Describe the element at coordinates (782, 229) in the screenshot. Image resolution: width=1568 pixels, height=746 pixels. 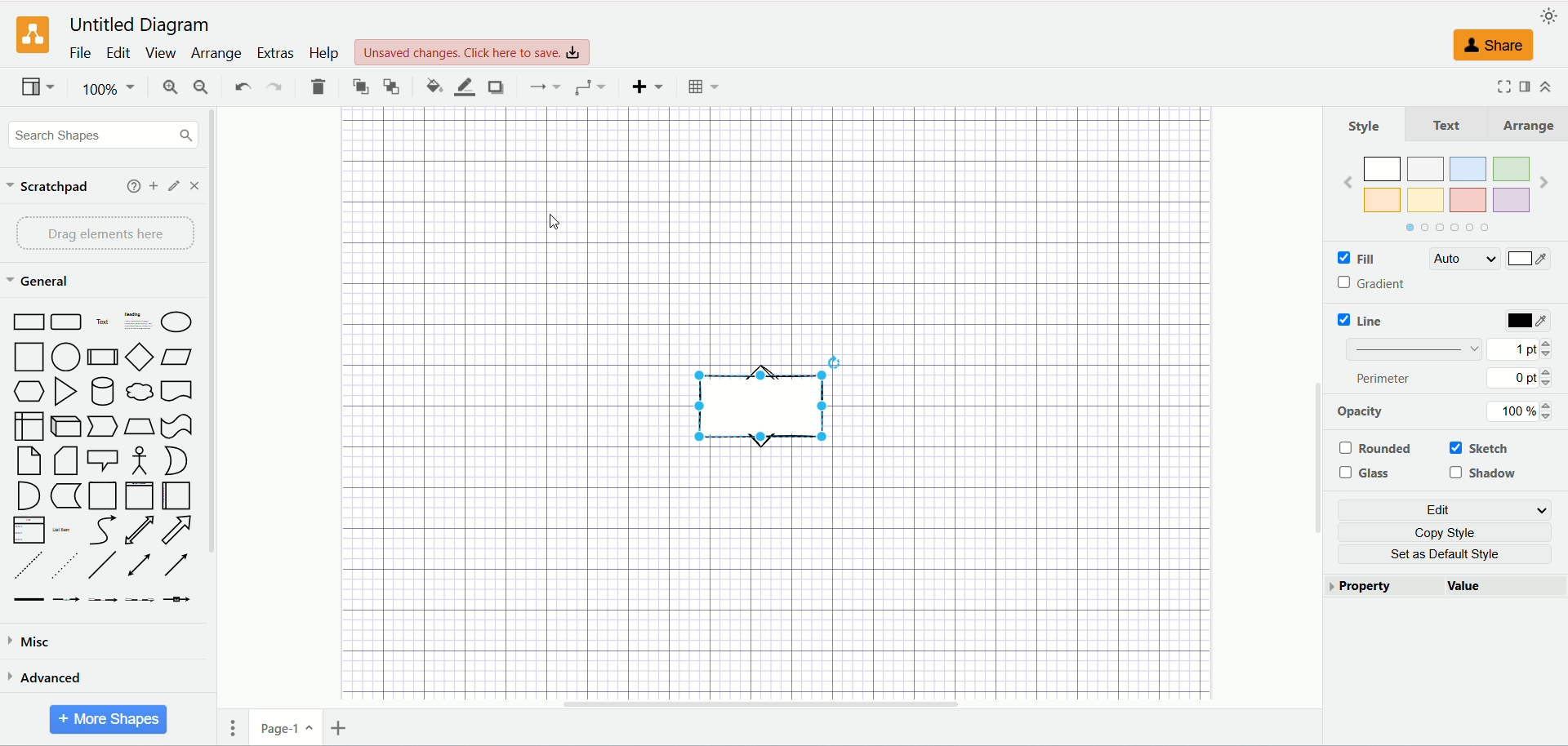
I see `canvas` at that location.